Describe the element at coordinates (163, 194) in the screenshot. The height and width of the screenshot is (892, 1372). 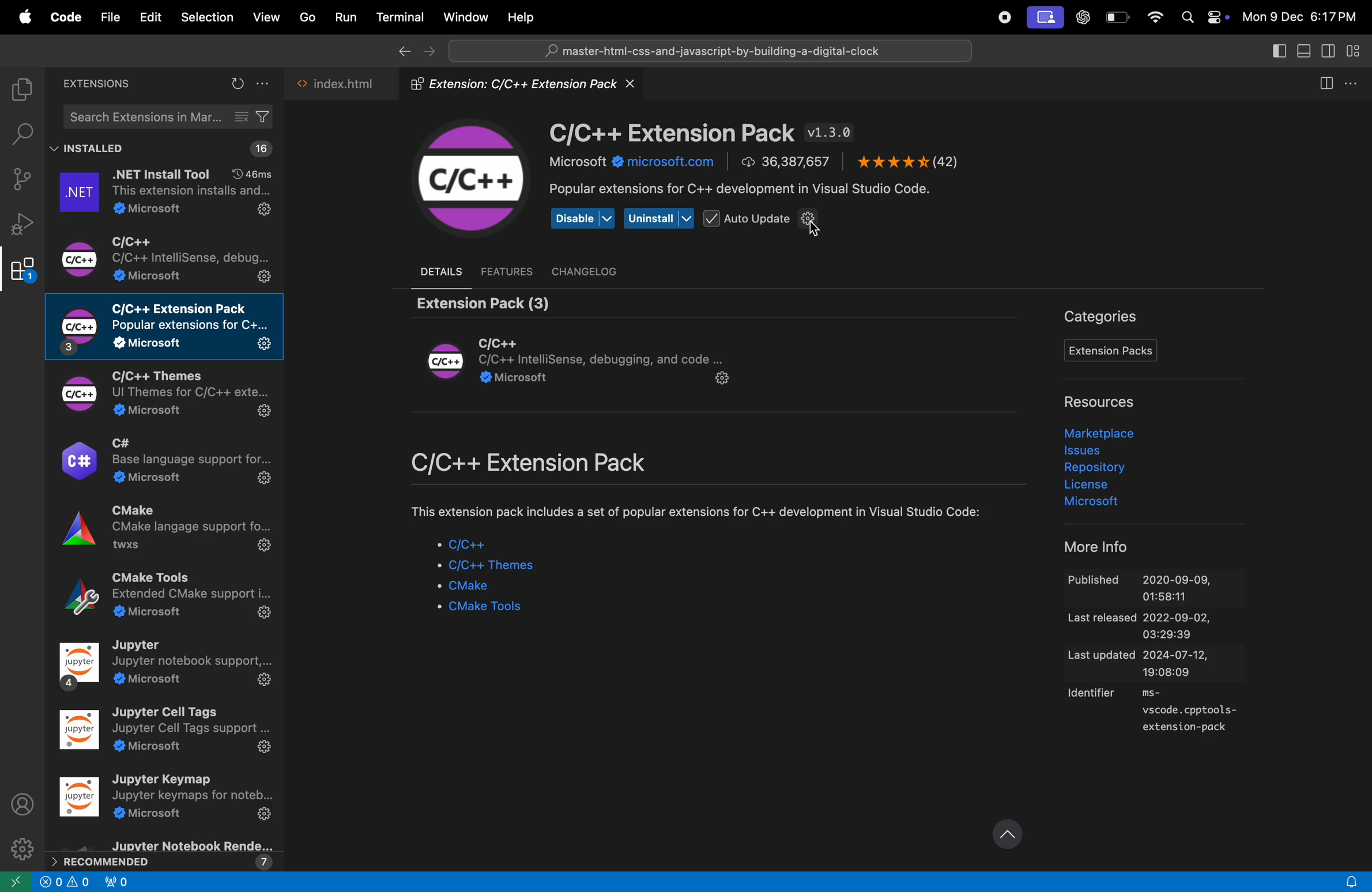
I see `.net extensions` at that location.